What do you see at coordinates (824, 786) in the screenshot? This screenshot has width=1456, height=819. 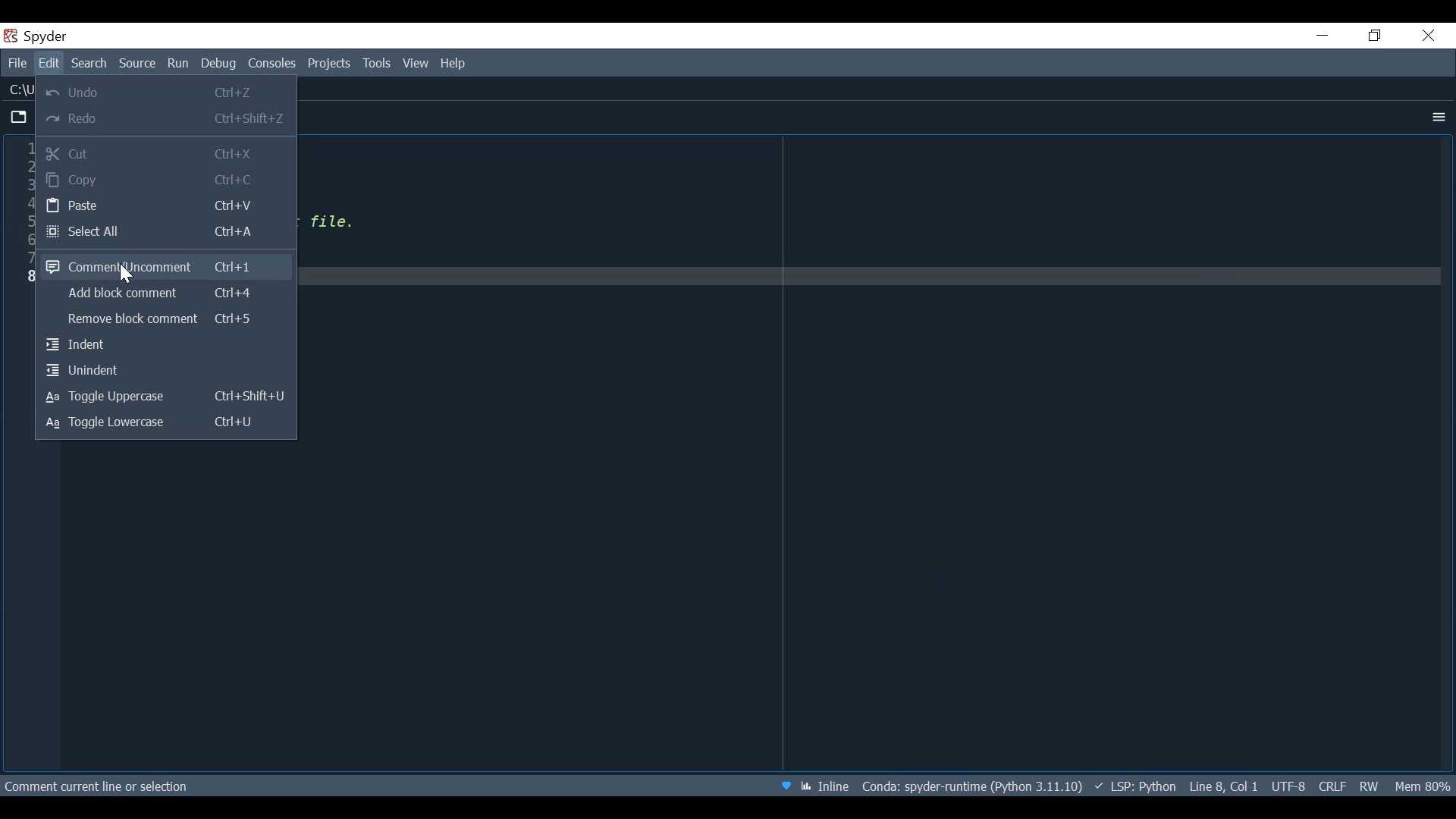 I see `Toggle Inline and interactive Matplotlib plotting` at bounding box center [824, 786].